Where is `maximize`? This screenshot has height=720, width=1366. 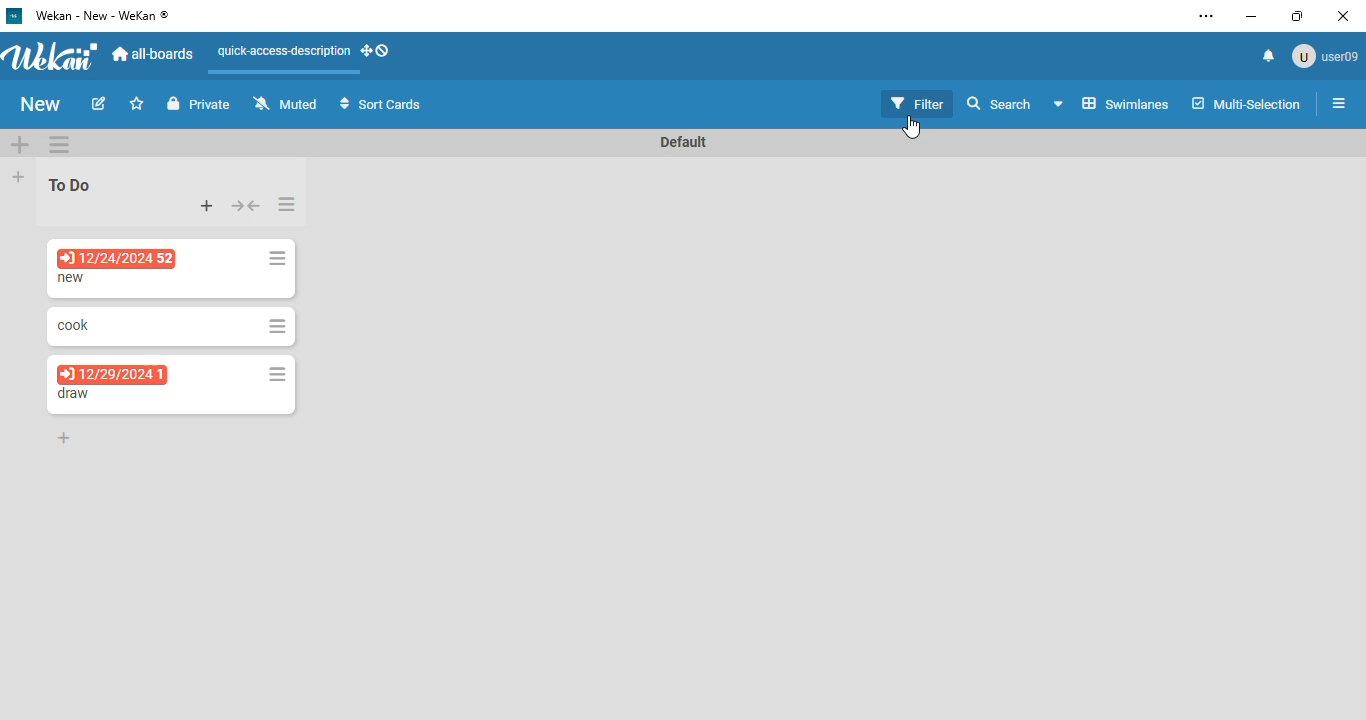 maximize is located at coordinates (1296, 16).